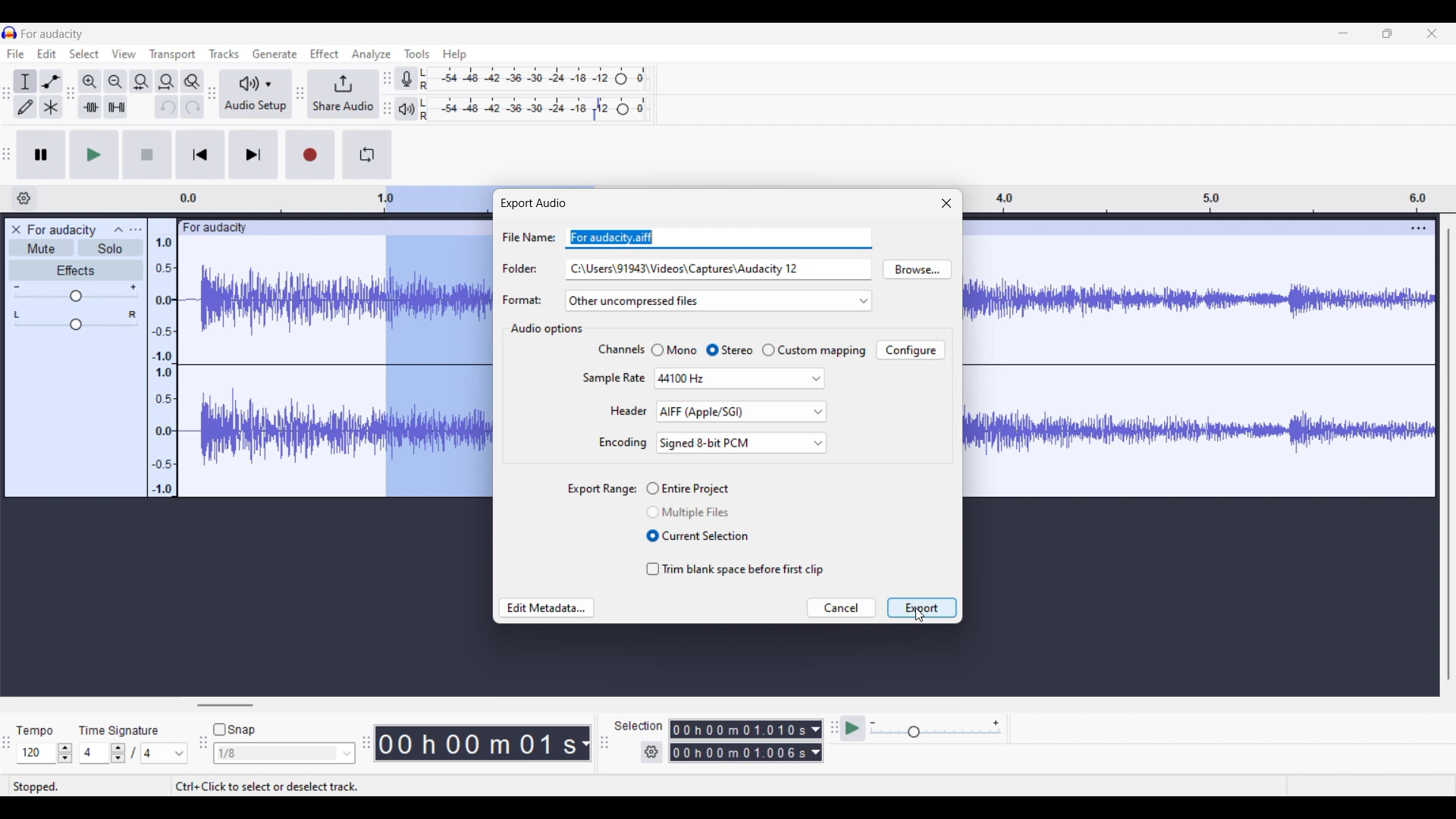 The image size is (1456, 819). I want to click on Help menu, so click(454, 55).